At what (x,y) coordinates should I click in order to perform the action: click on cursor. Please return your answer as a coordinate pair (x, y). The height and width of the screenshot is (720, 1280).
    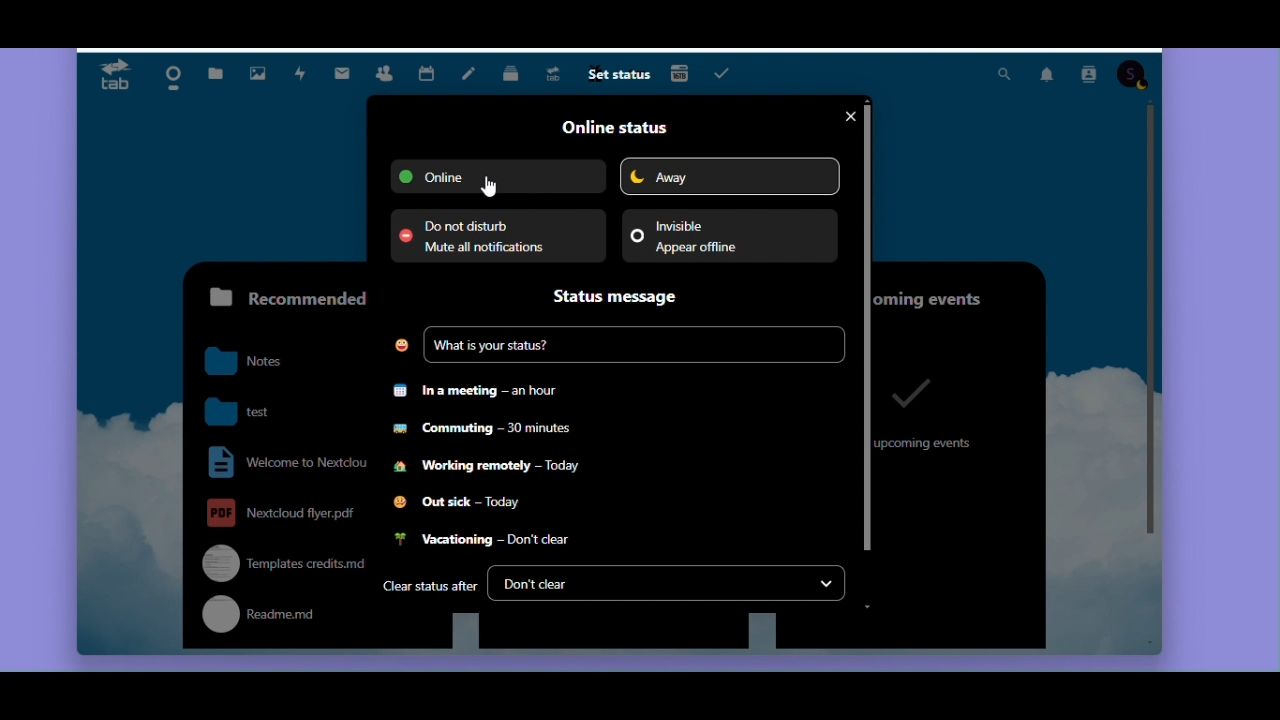
    Looking at the image, I should click on (489, 187).